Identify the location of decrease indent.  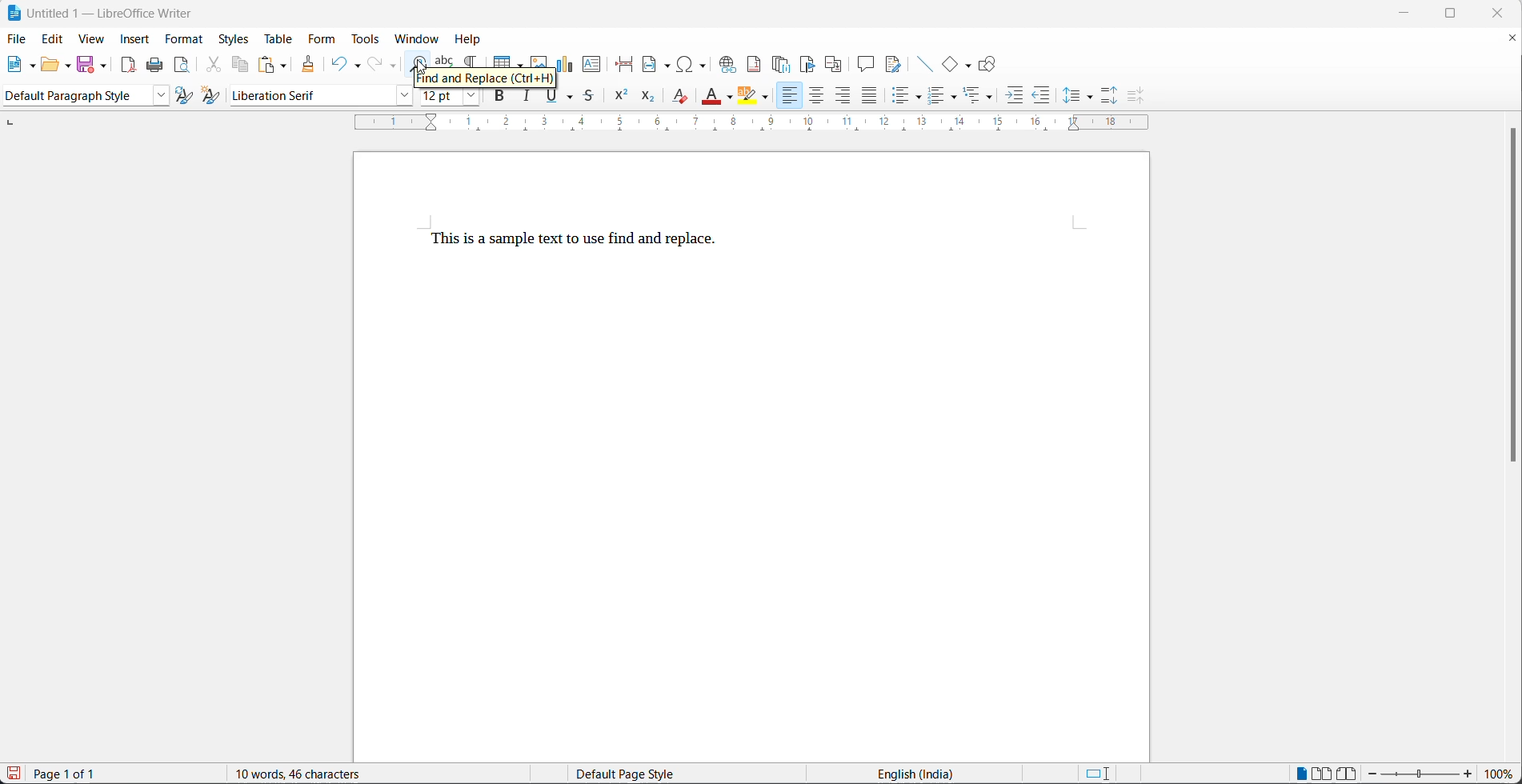
(1042, 98).